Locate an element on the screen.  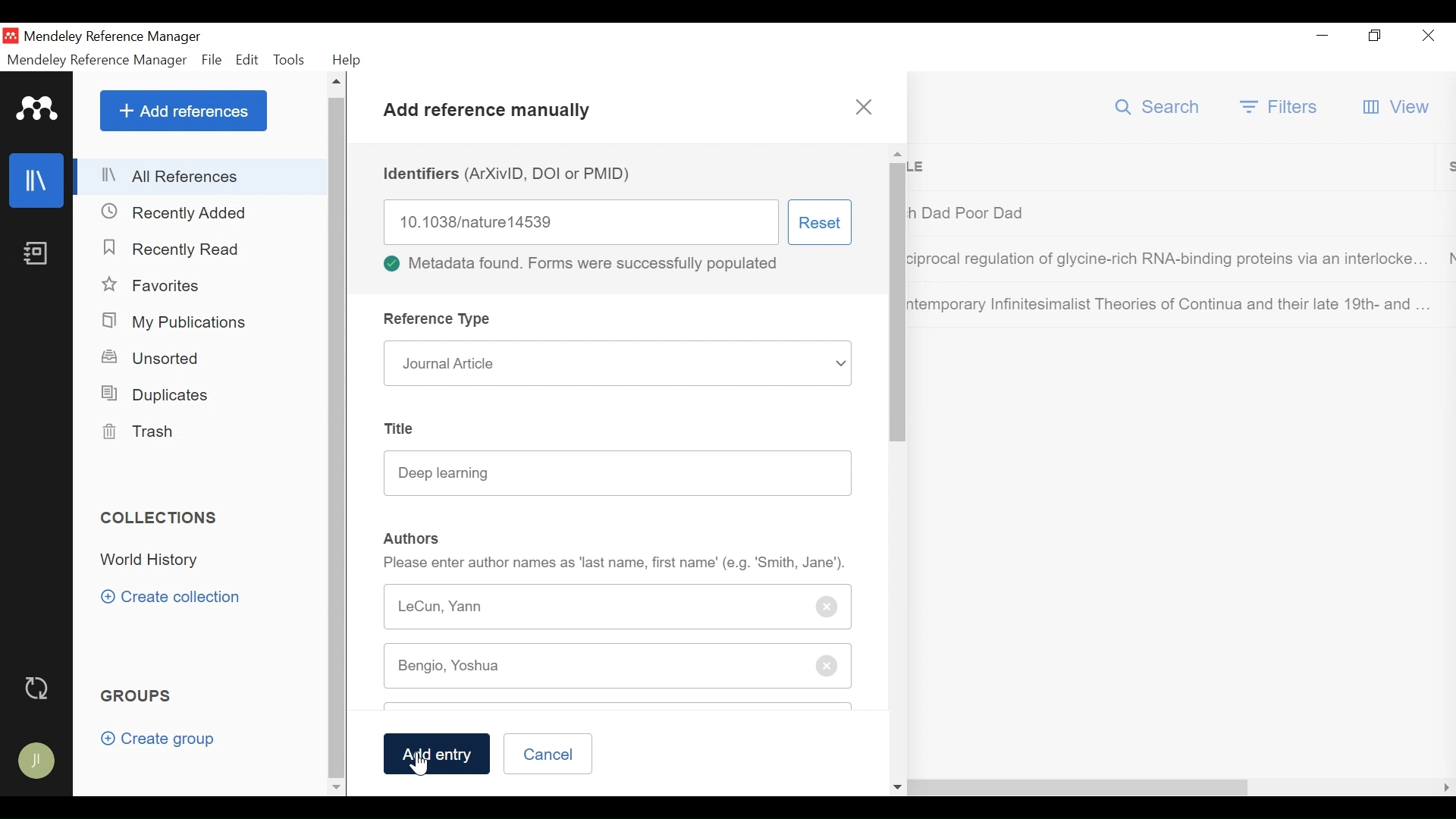
Close is located at coordinates (1430, 36).